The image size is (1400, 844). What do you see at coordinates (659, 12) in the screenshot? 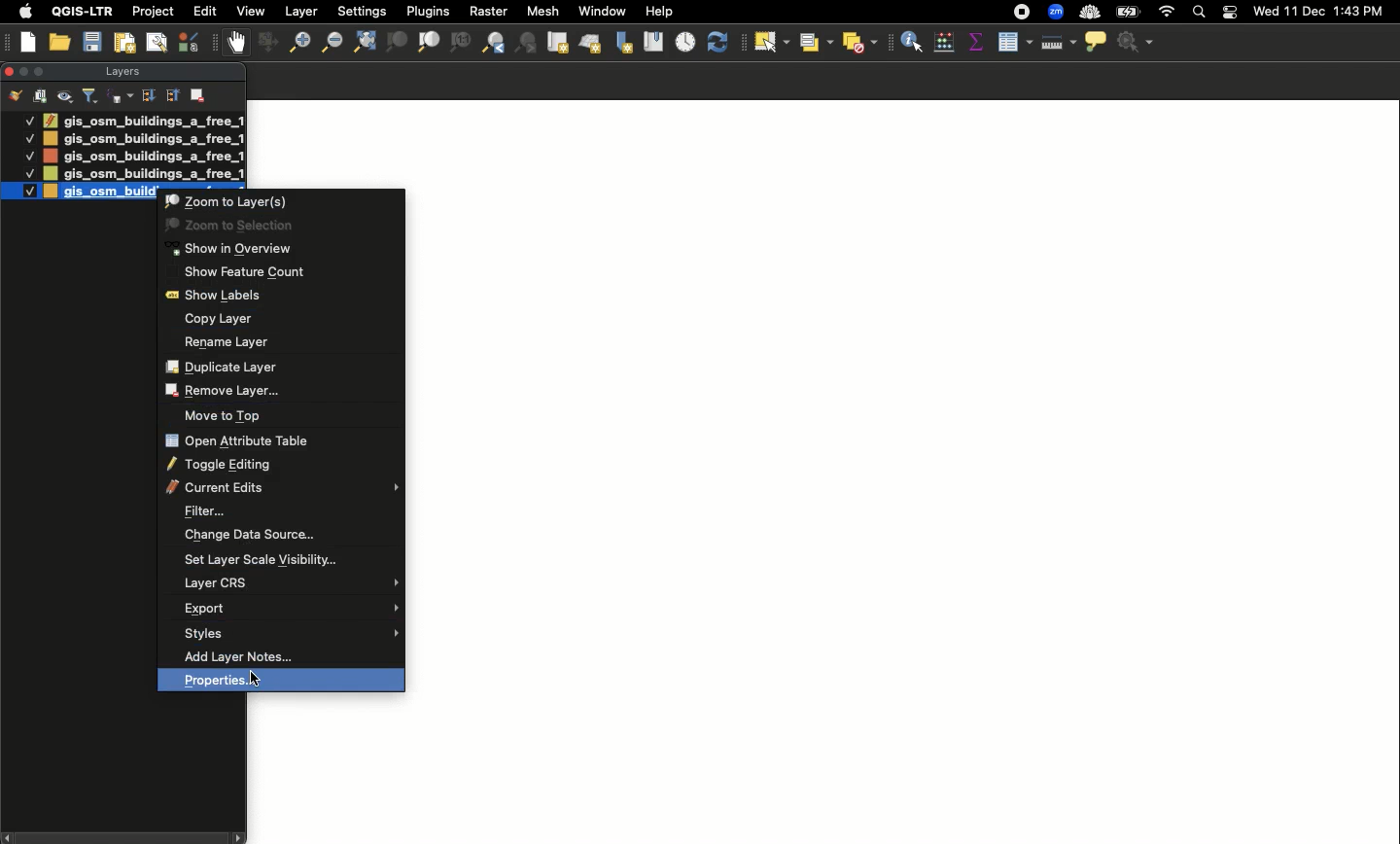
I see `Help` at bounding box center [659, 12].